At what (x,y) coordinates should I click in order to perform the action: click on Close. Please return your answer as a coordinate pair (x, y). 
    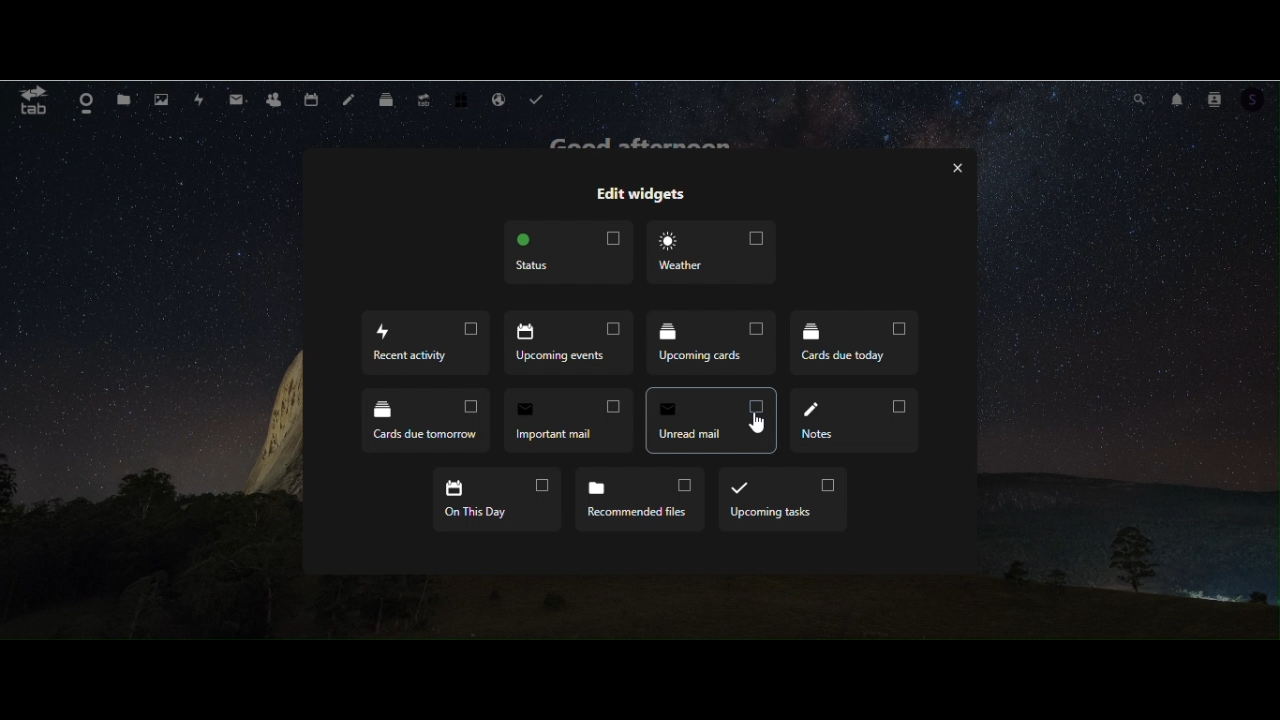
    Looking at the image, I should click on (954, 167).